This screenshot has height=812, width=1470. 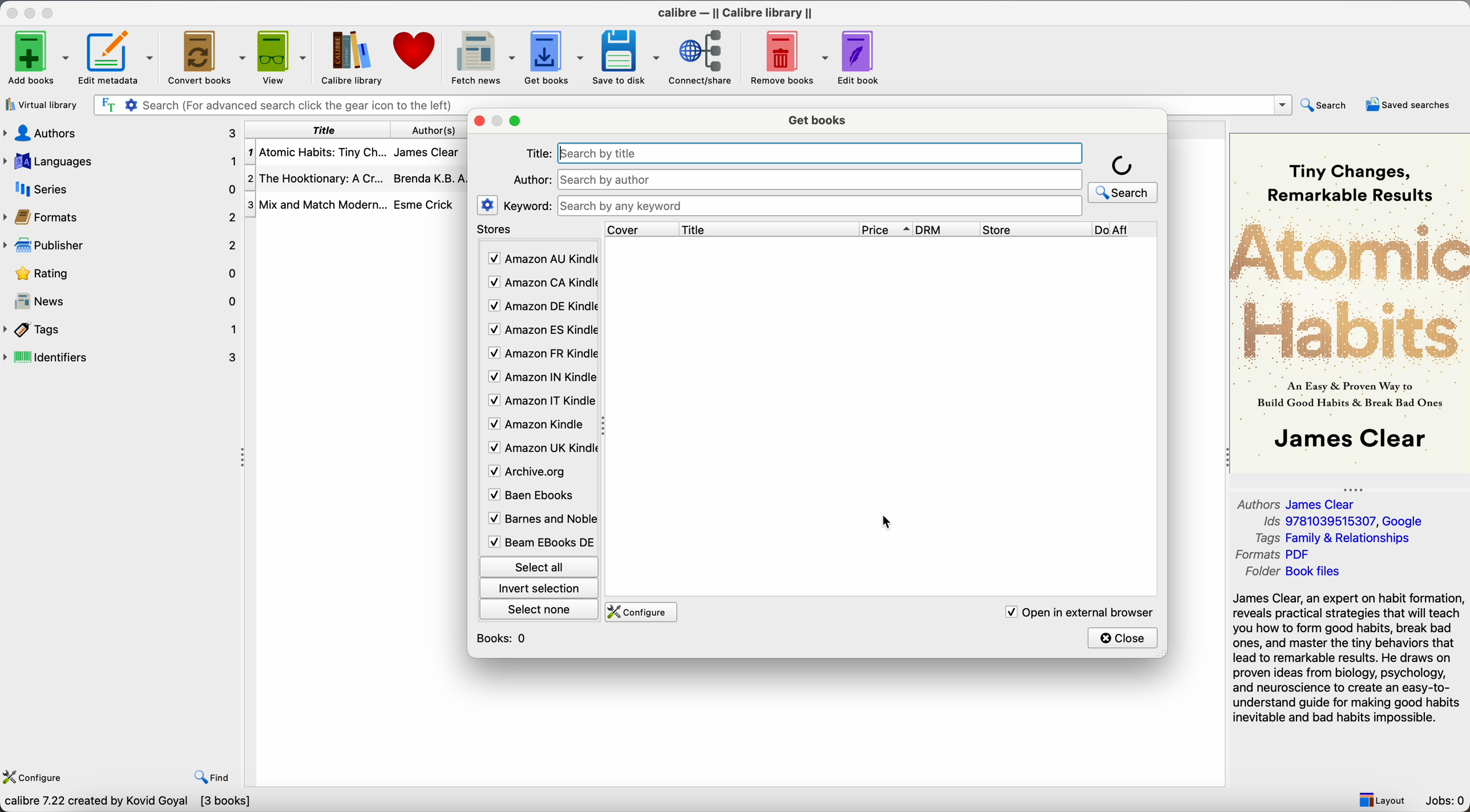 I want to click on open in external browser, so click(x=1079, y=612).